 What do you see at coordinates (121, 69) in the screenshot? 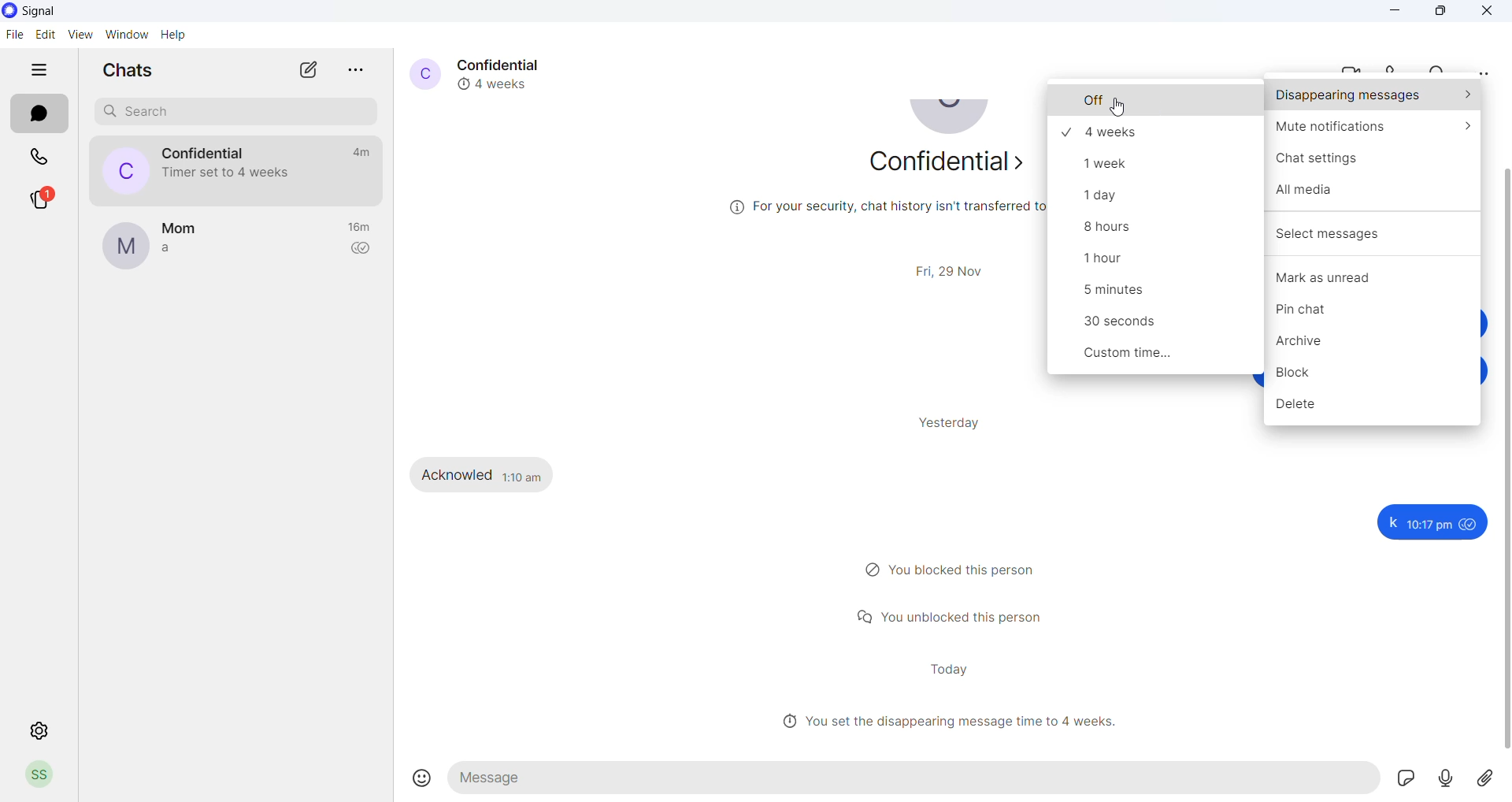
I see `chats heading` at bounding box center [121, 69].